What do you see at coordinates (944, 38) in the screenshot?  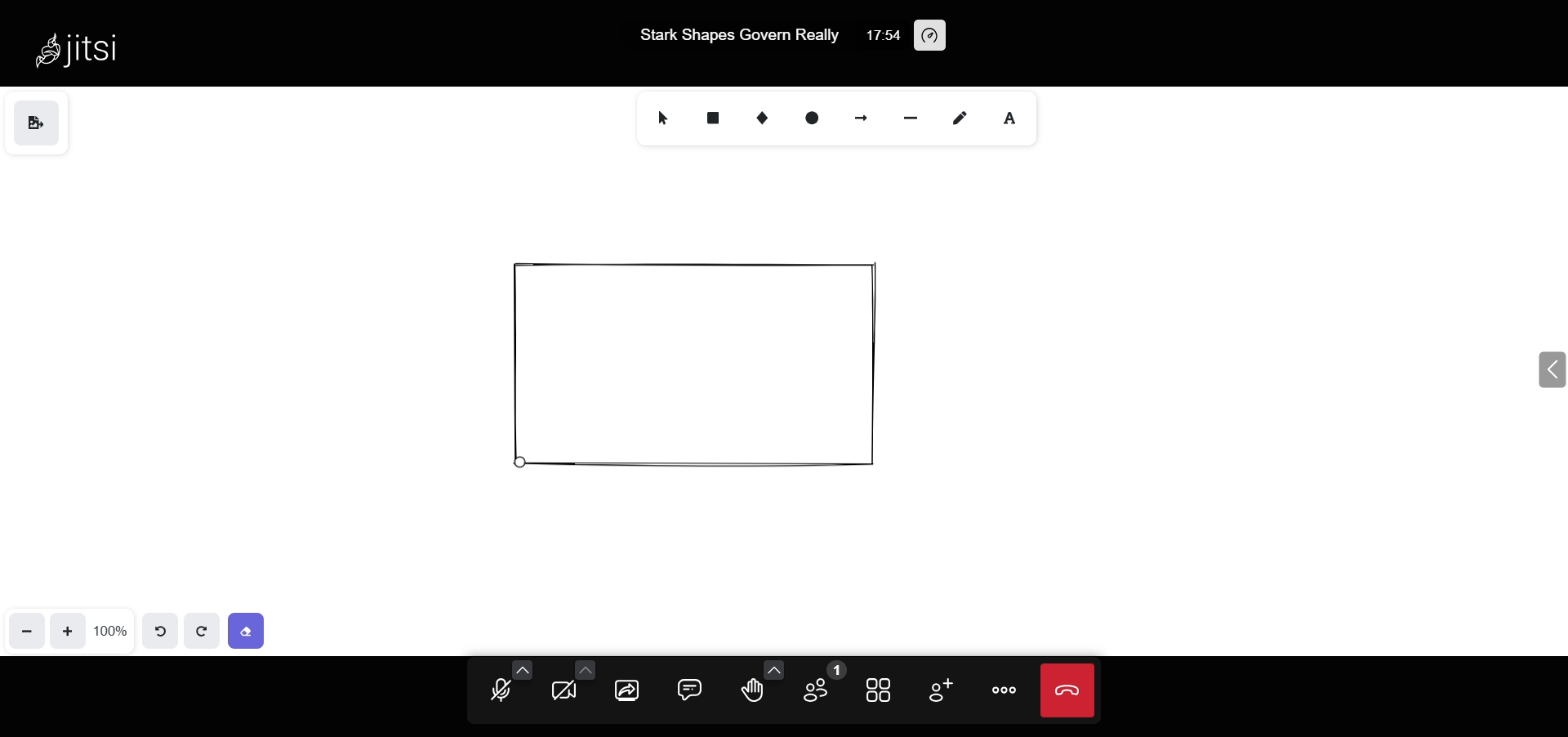 I see `performance setting` at bounding box center [944, 38].